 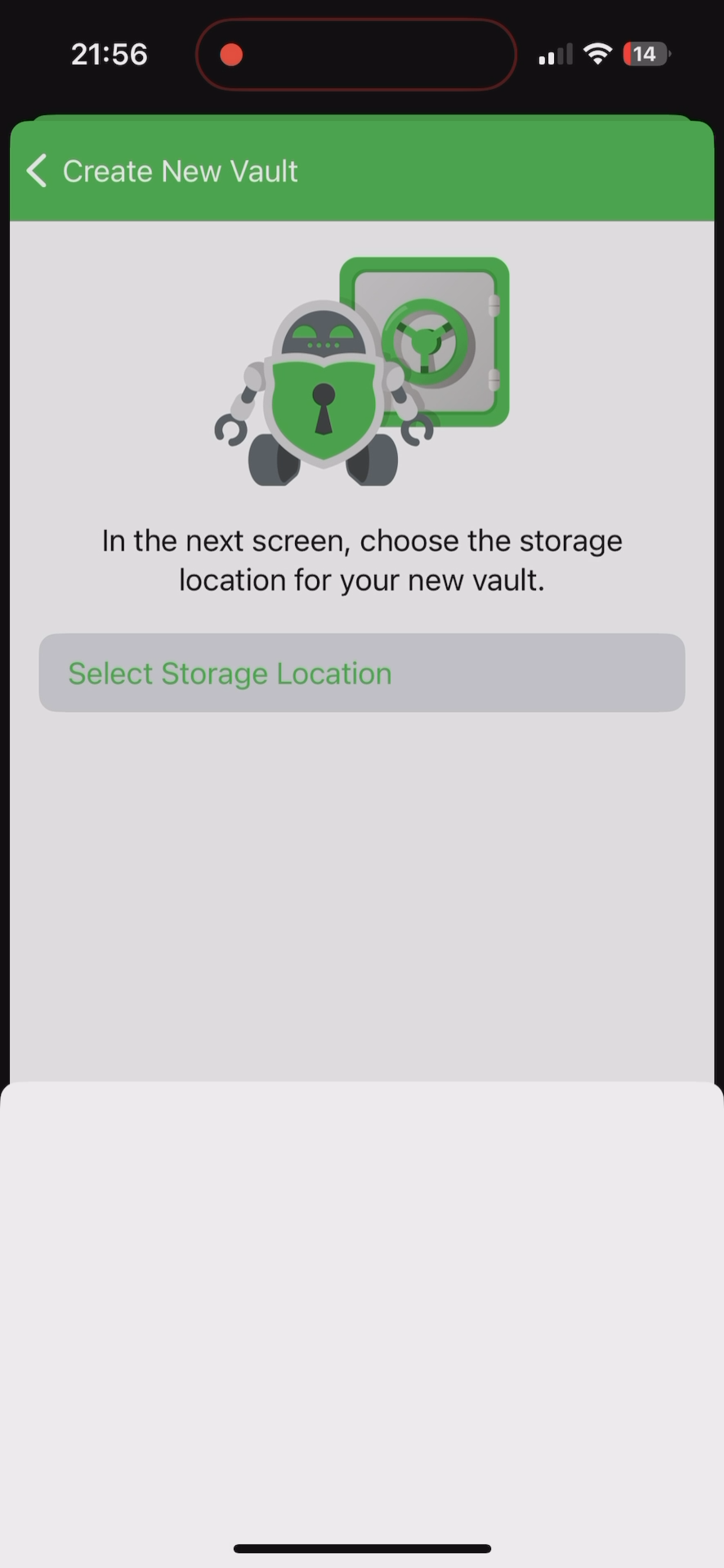 What do you see at coordinates (168, 174) in the screenshot?
I see `create new vault` at bounding box center [168, 174].